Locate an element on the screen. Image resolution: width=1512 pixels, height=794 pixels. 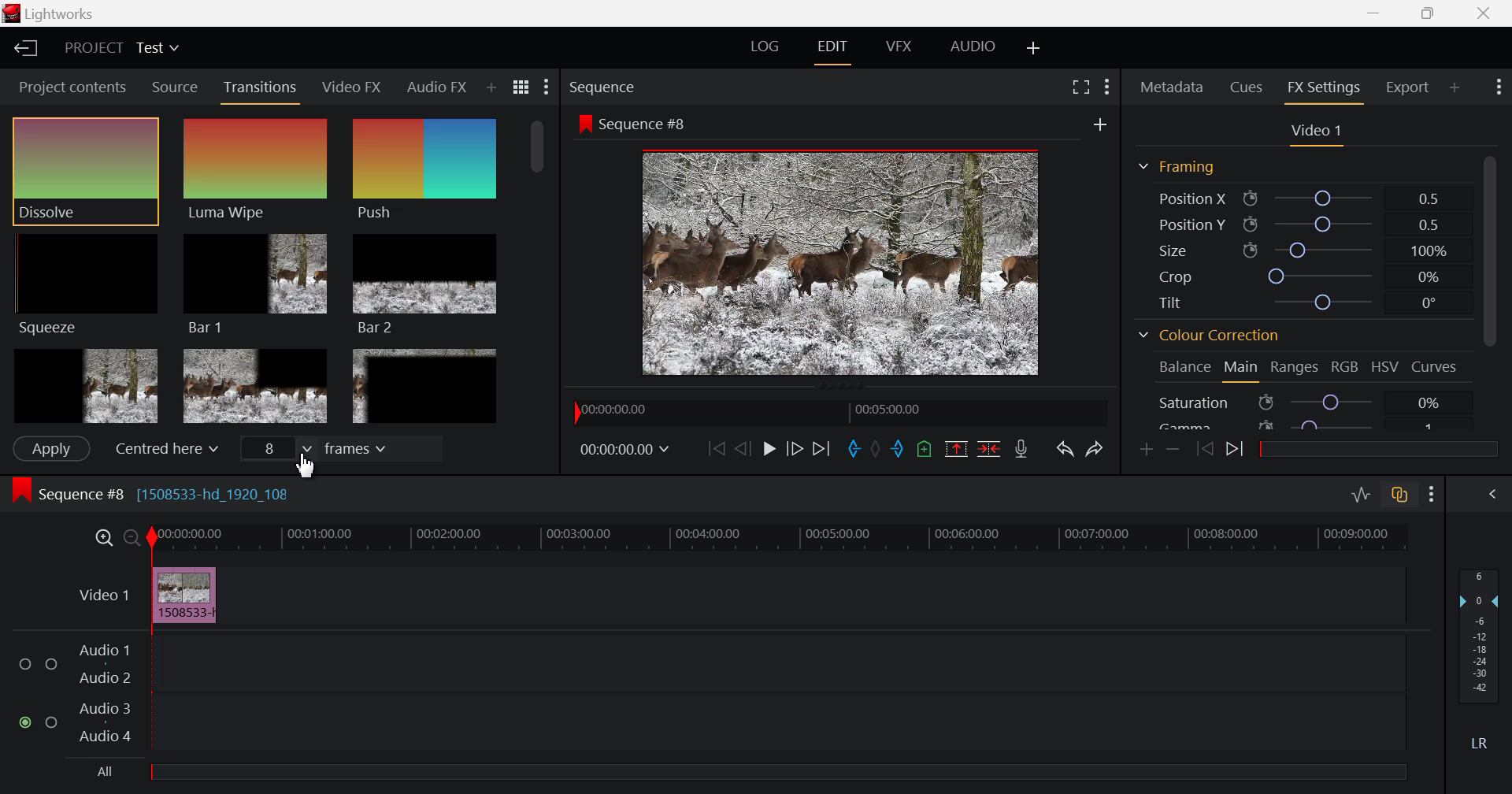
Mark Out is located at coordinates (898, 451).